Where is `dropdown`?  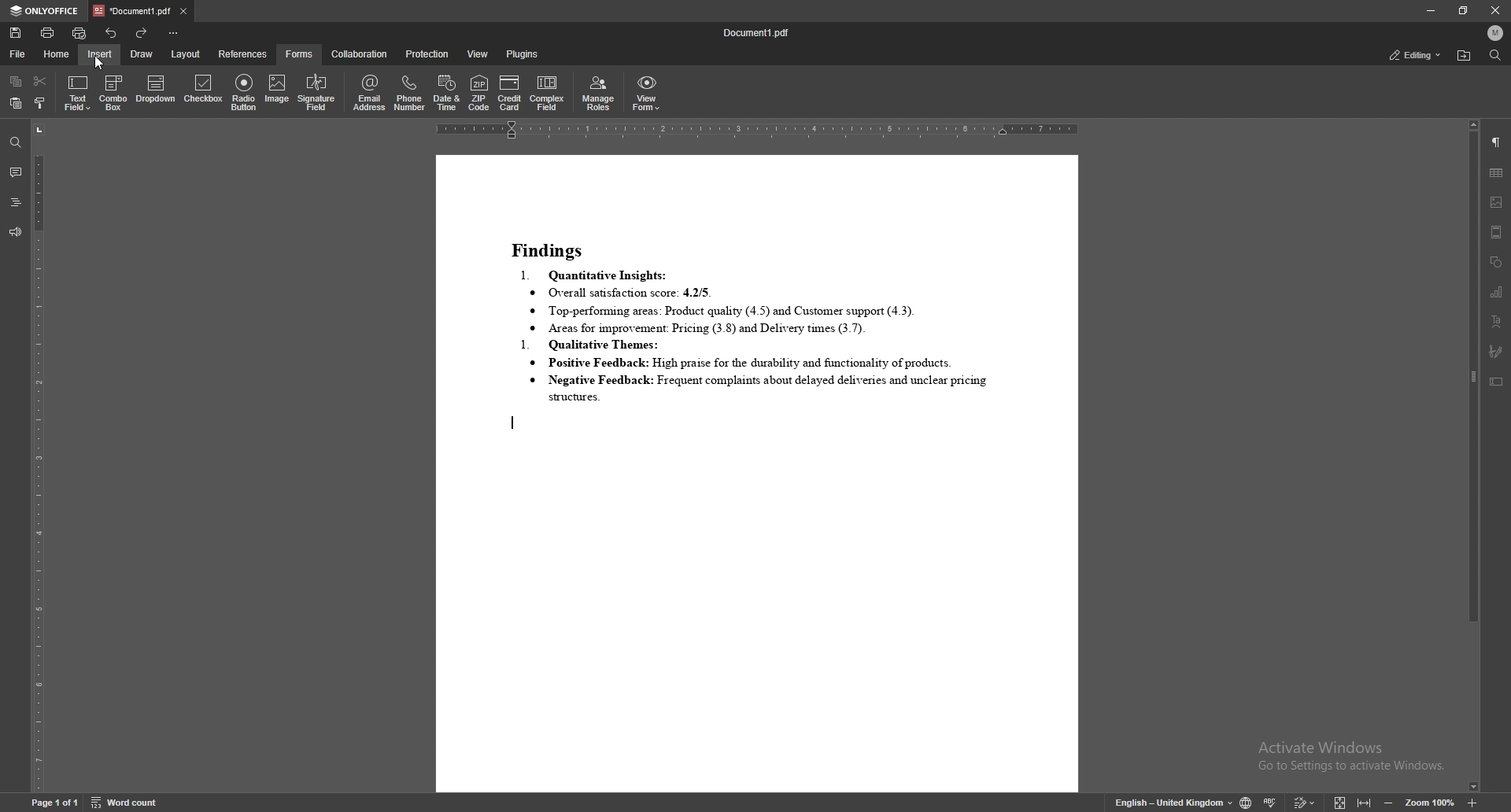 dropdown is located at coordinates (156, 89).